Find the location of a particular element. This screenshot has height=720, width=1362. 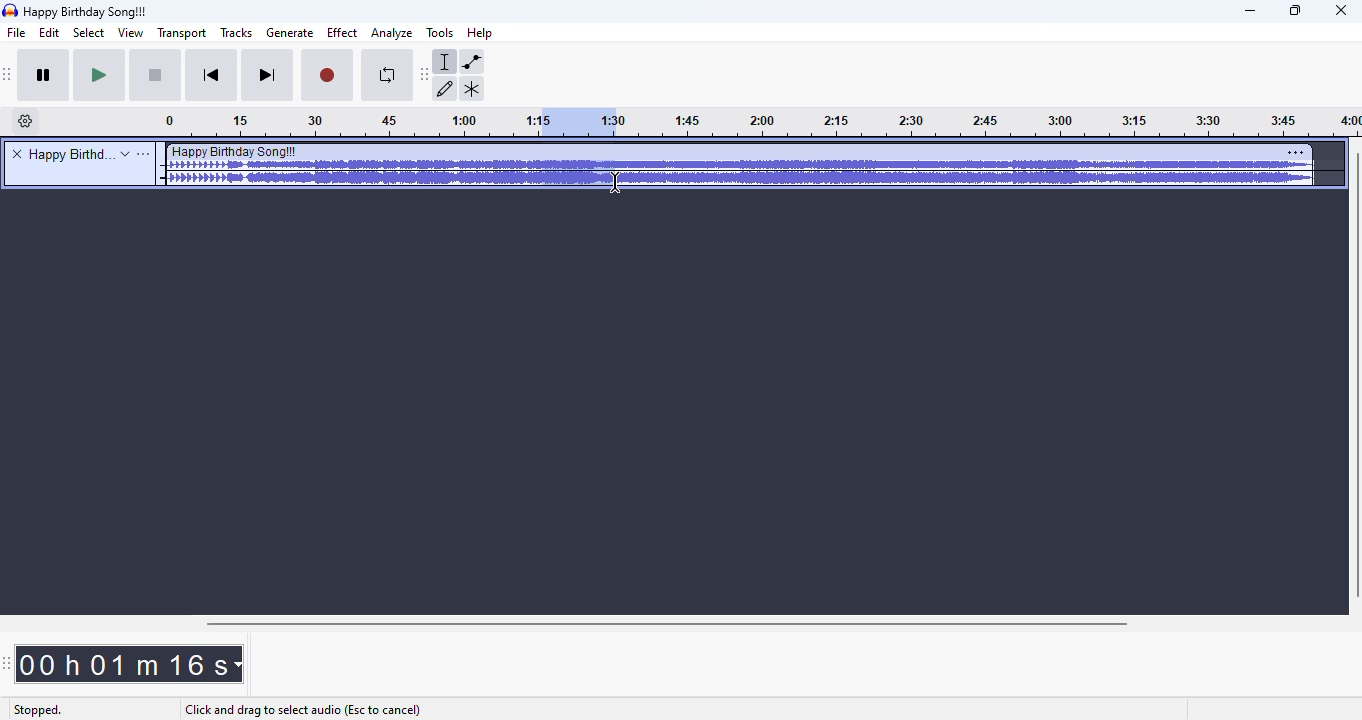

envelope tool is located at coordinates (472, 62).